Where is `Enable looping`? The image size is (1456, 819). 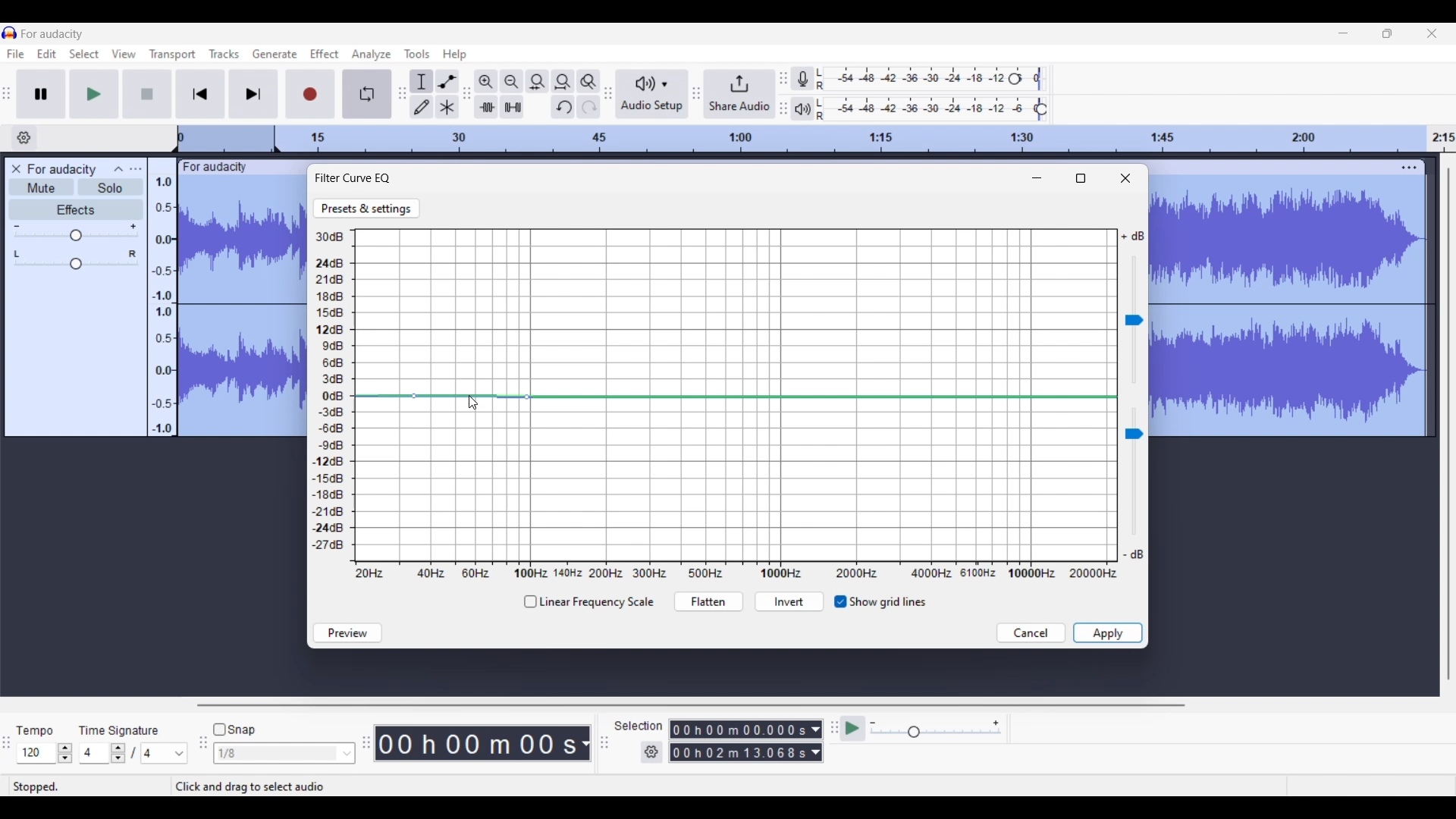
Enable looping is located at coordinates (367, 94).